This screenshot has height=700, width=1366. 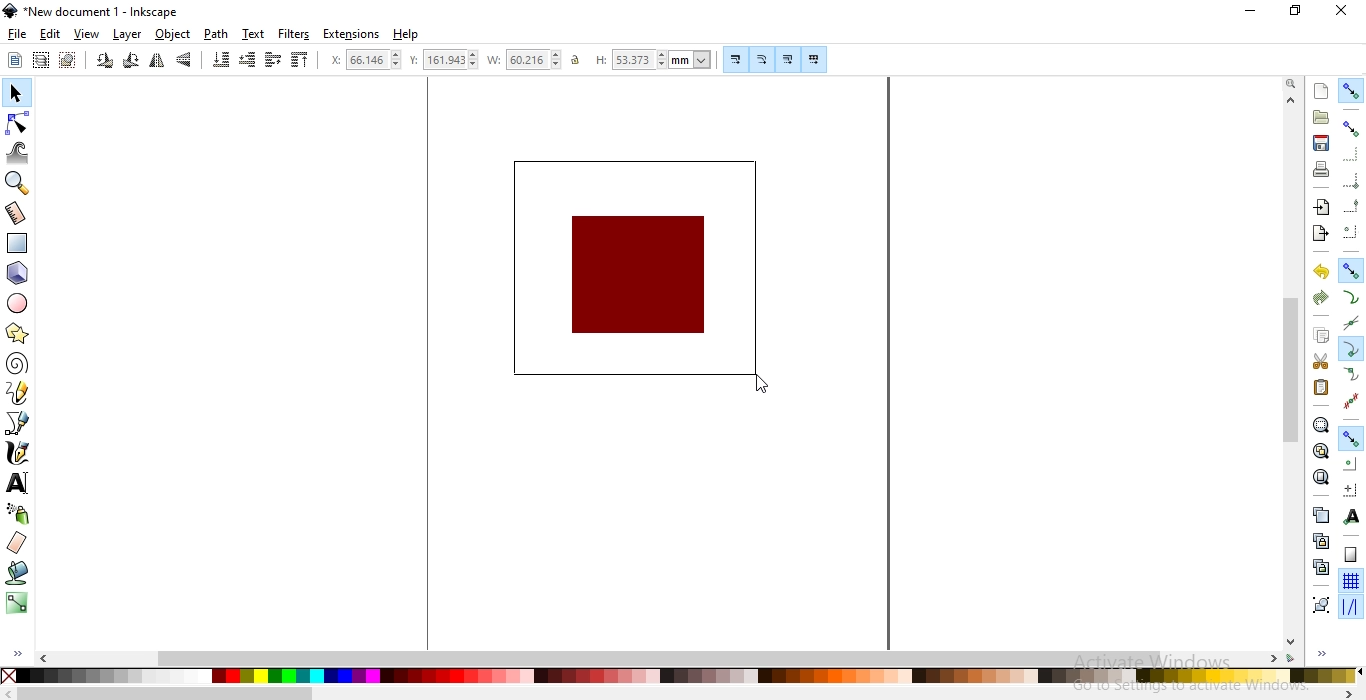 I want to click on move gradients alongwith objects, so click(x=787, y=61).